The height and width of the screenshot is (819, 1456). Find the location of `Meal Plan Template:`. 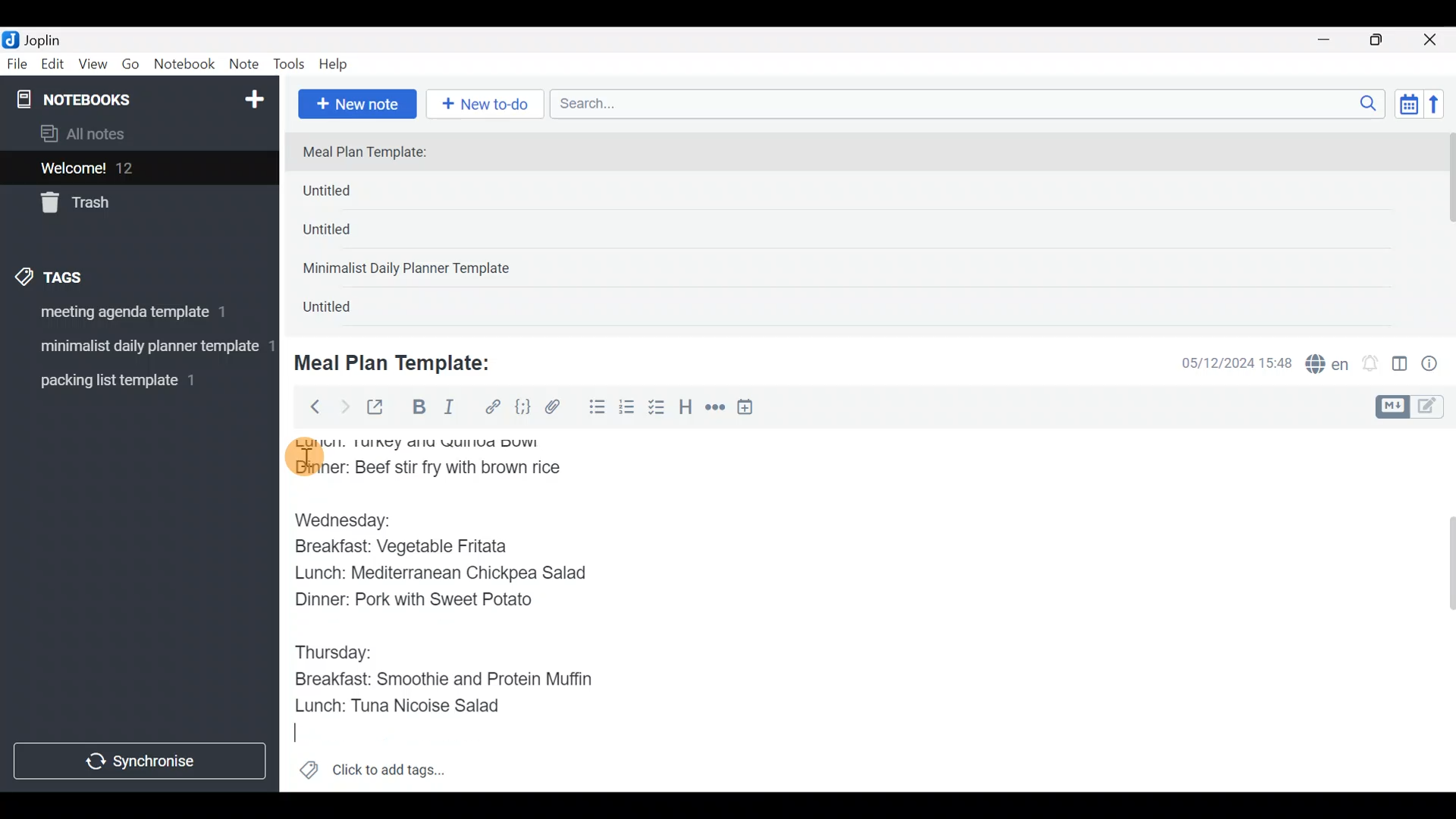

Meal Plan Template: is located at coordinates (402, 361).